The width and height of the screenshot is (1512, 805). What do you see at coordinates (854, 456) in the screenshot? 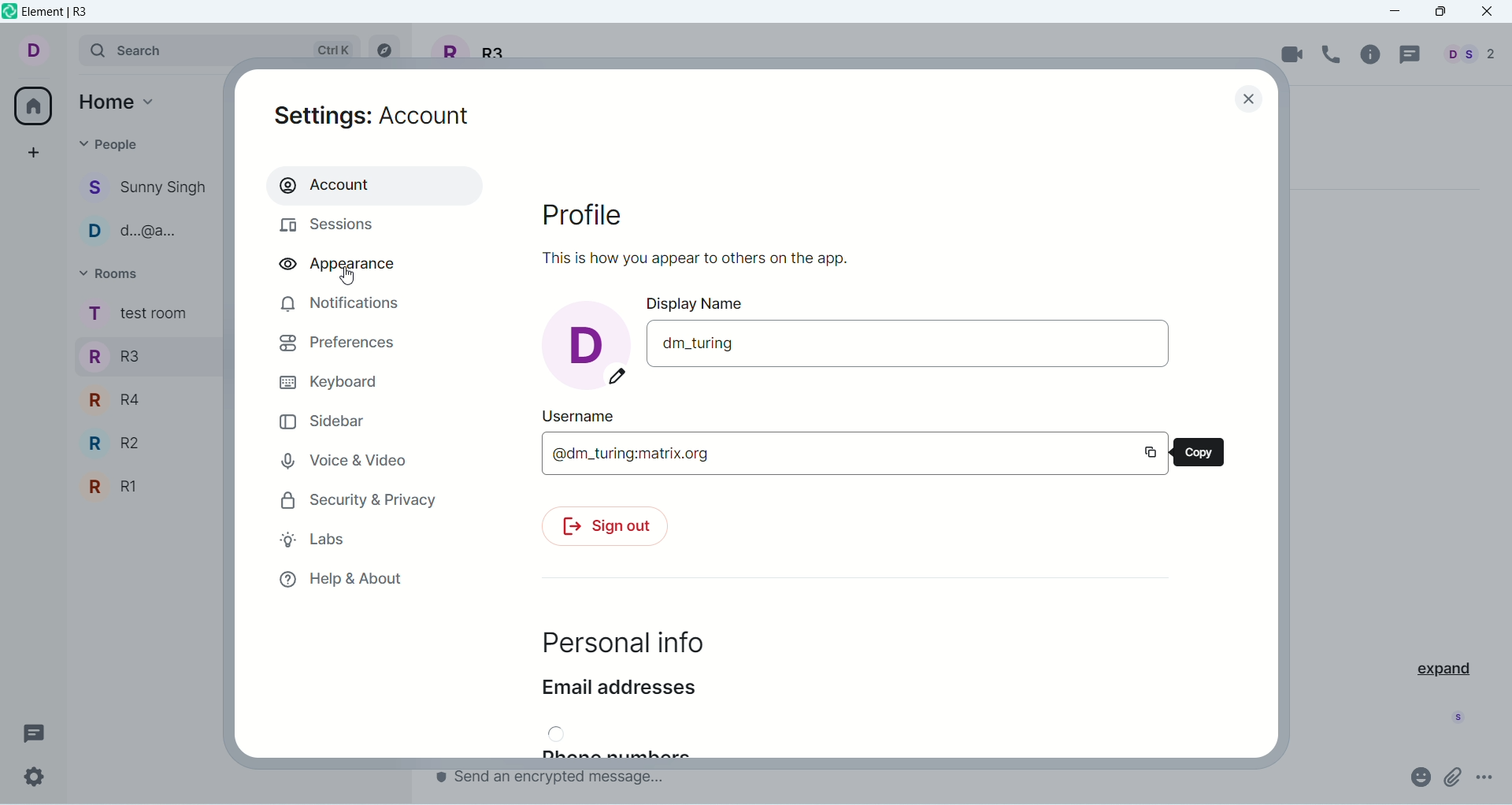
I see `username` at bounding box center [854, 456].